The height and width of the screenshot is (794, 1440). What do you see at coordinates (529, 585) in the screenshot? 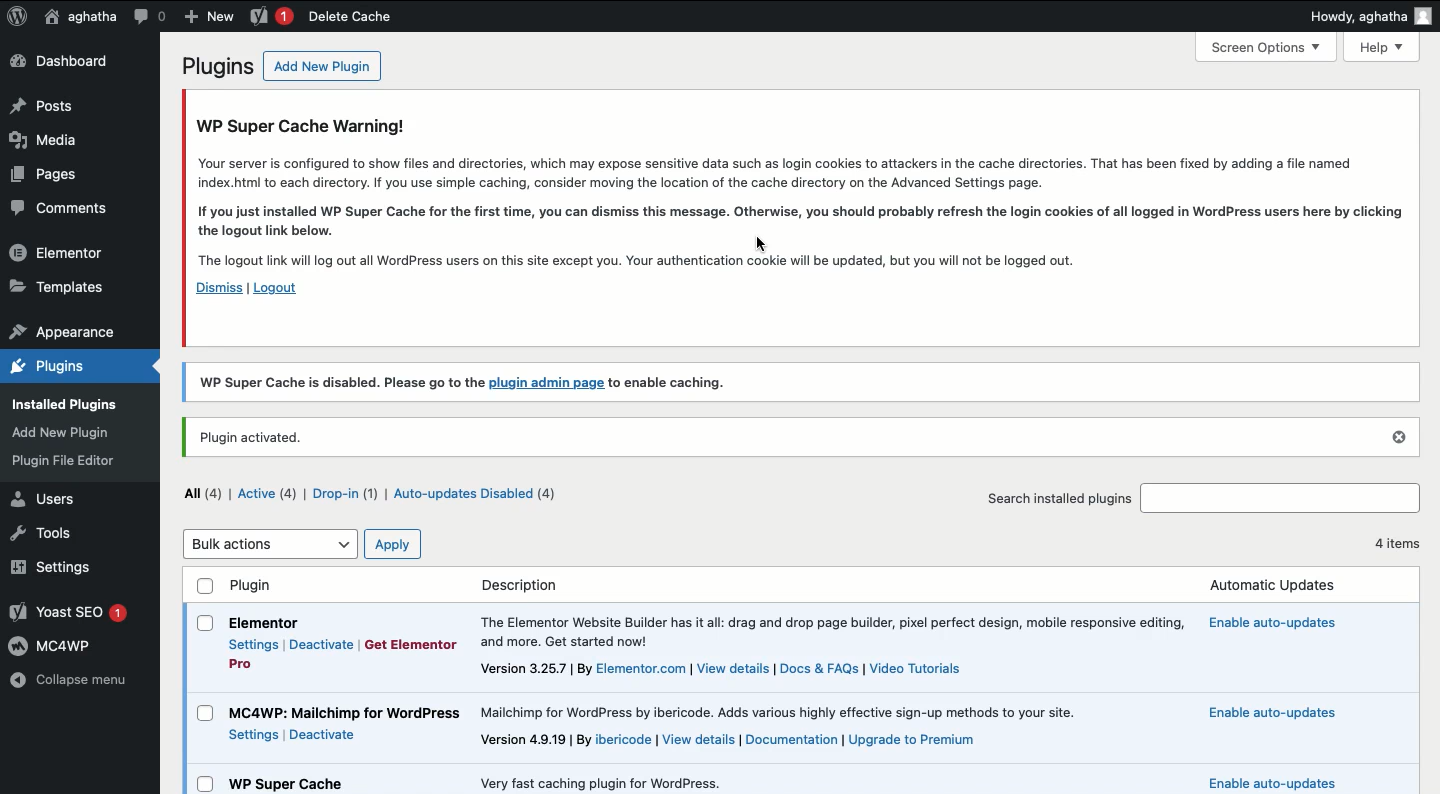
I see `Description` at bounding box center [529, 585].